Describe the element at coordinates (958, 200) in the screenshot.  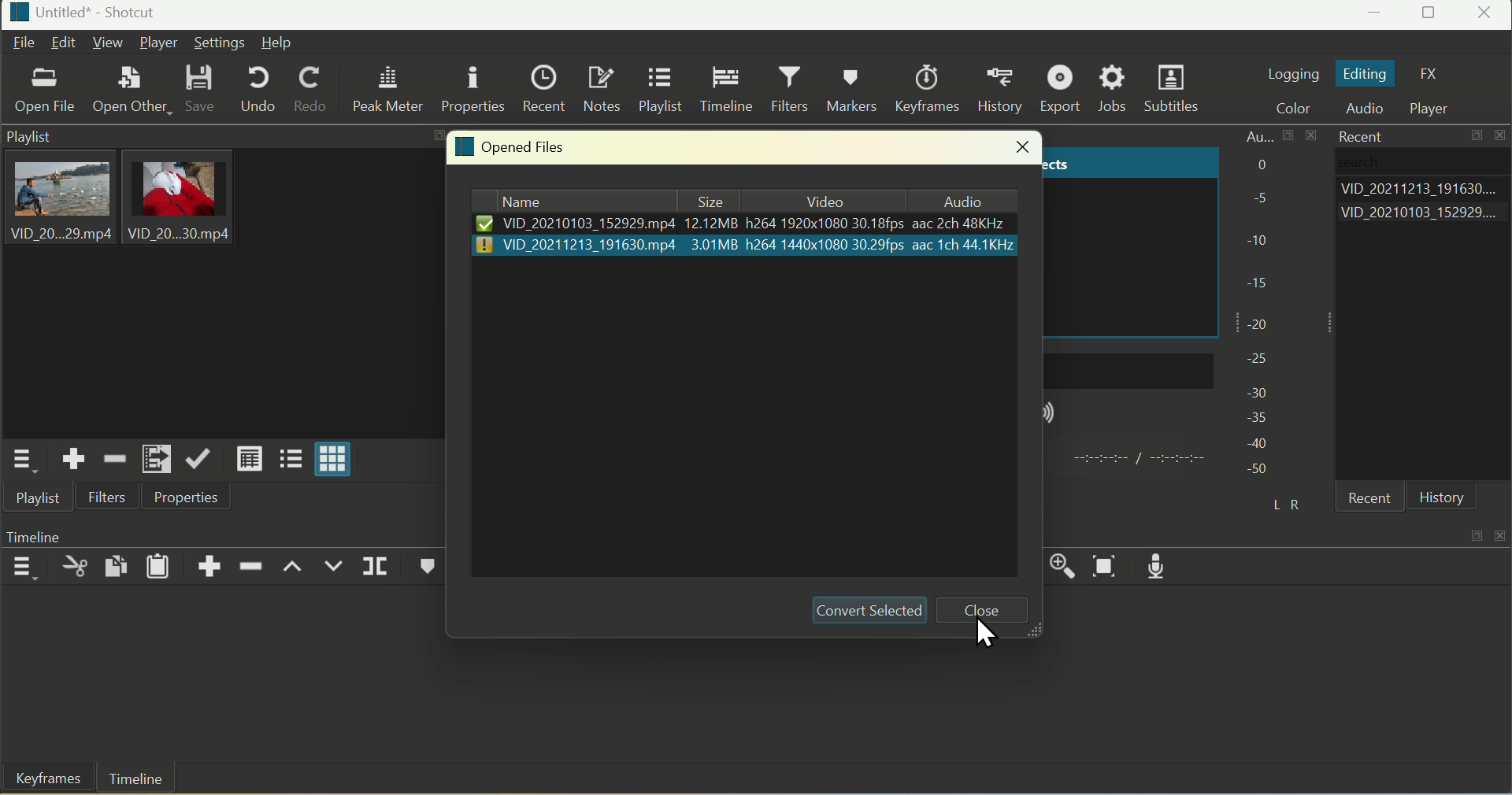
I see `audio` at that location.